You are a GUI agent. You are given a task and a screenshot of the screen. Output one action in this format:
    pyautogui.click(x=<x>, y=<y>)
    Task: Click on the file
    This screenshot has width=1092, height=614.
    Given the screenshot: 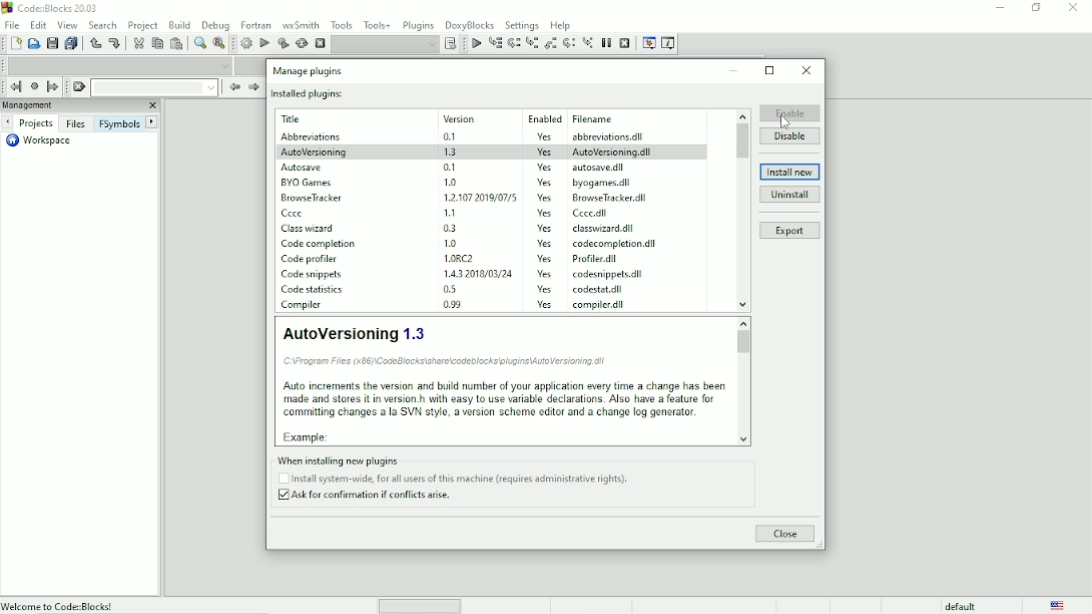 What is the action you would take?
    pyautogui.click(x=603, y=183)
    